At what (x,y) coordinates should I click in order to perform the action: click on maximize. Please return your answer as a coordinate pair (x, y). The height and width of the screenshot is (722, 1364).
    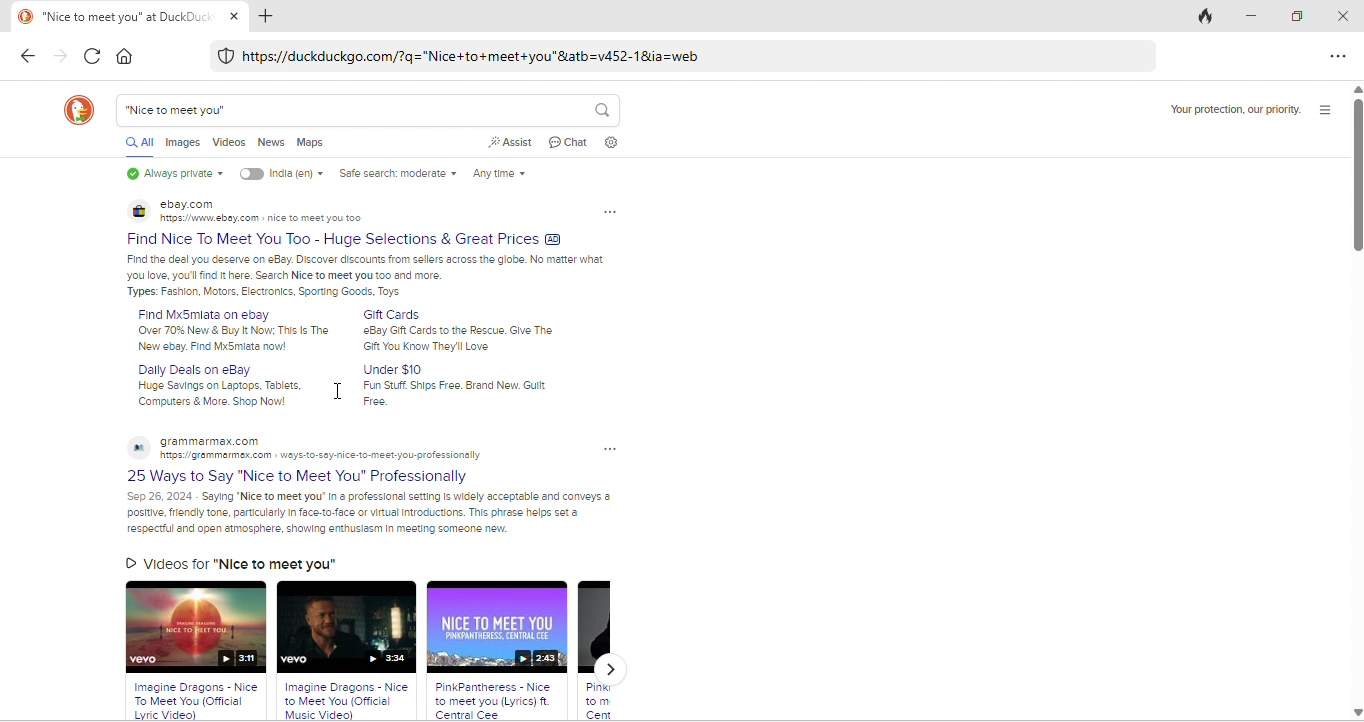
    Looking at the image, I should click on (1296, 15).